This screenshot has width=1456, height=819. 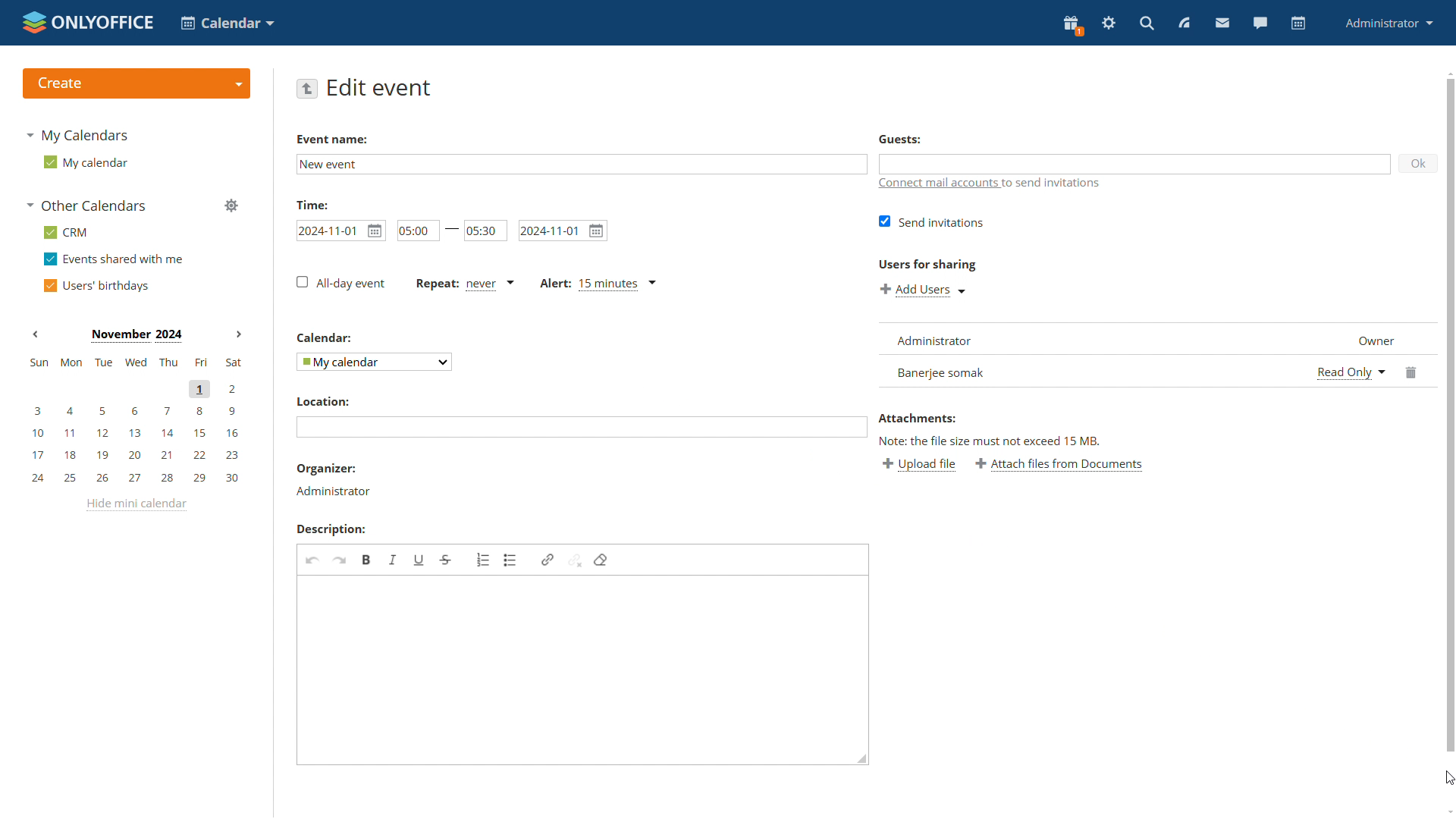 I want to click on cursor, so click(x=1447, y=777).